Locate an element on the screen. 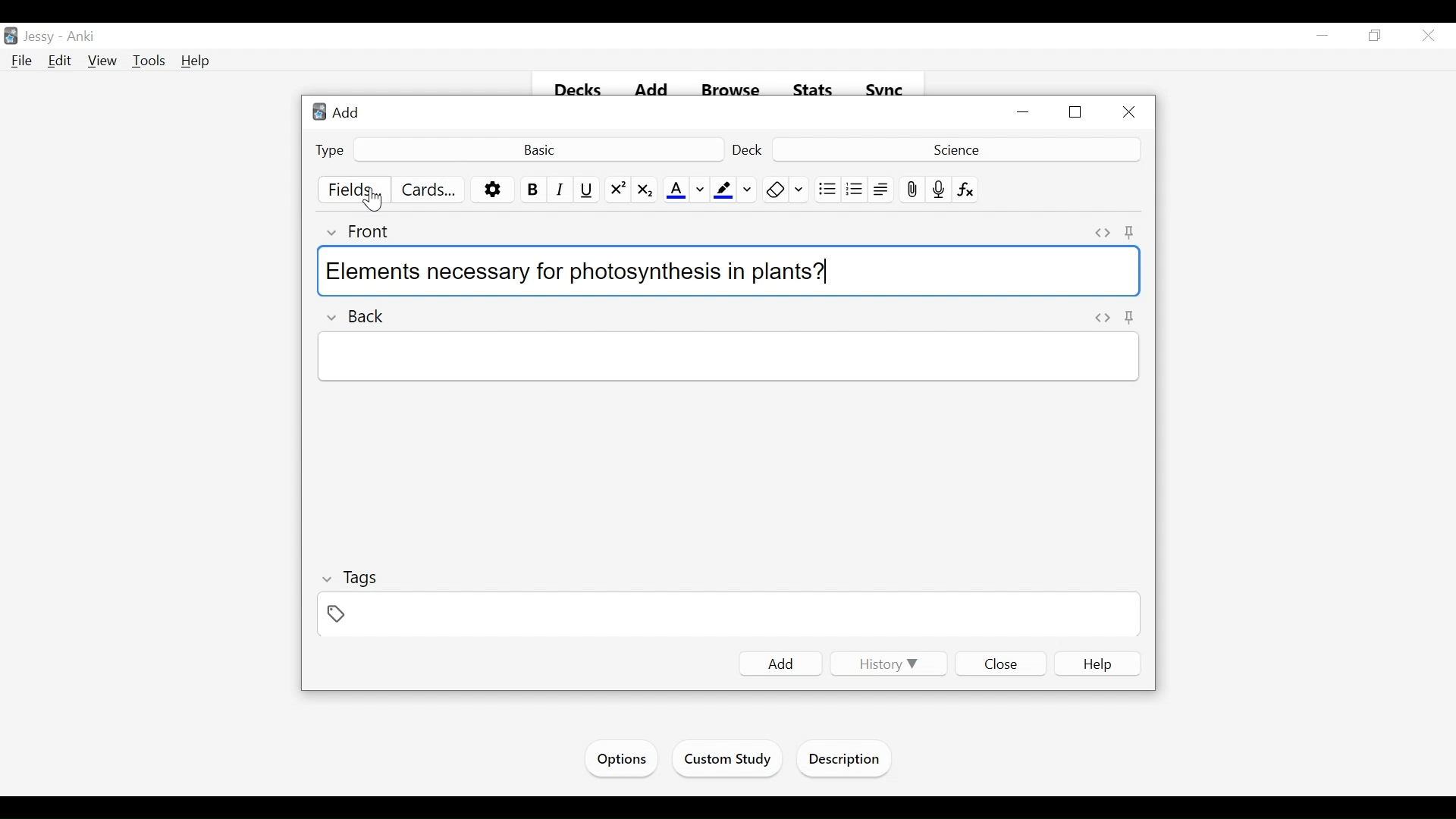 The image size is (1456, 819). Close is located at coordinates (1002, 663).